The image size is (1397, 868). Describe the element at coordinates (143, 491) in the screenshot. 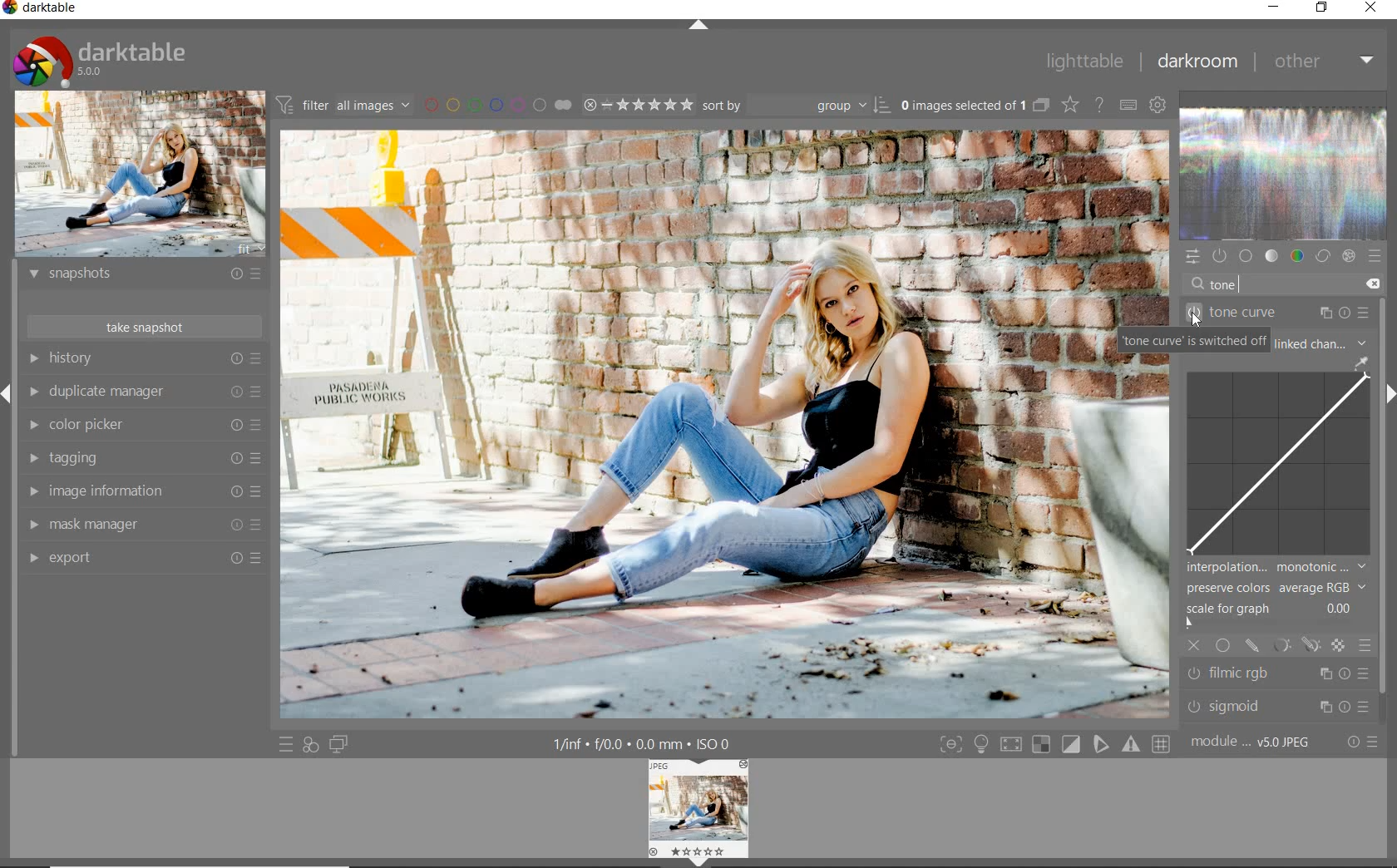

I see `image information` at that location.